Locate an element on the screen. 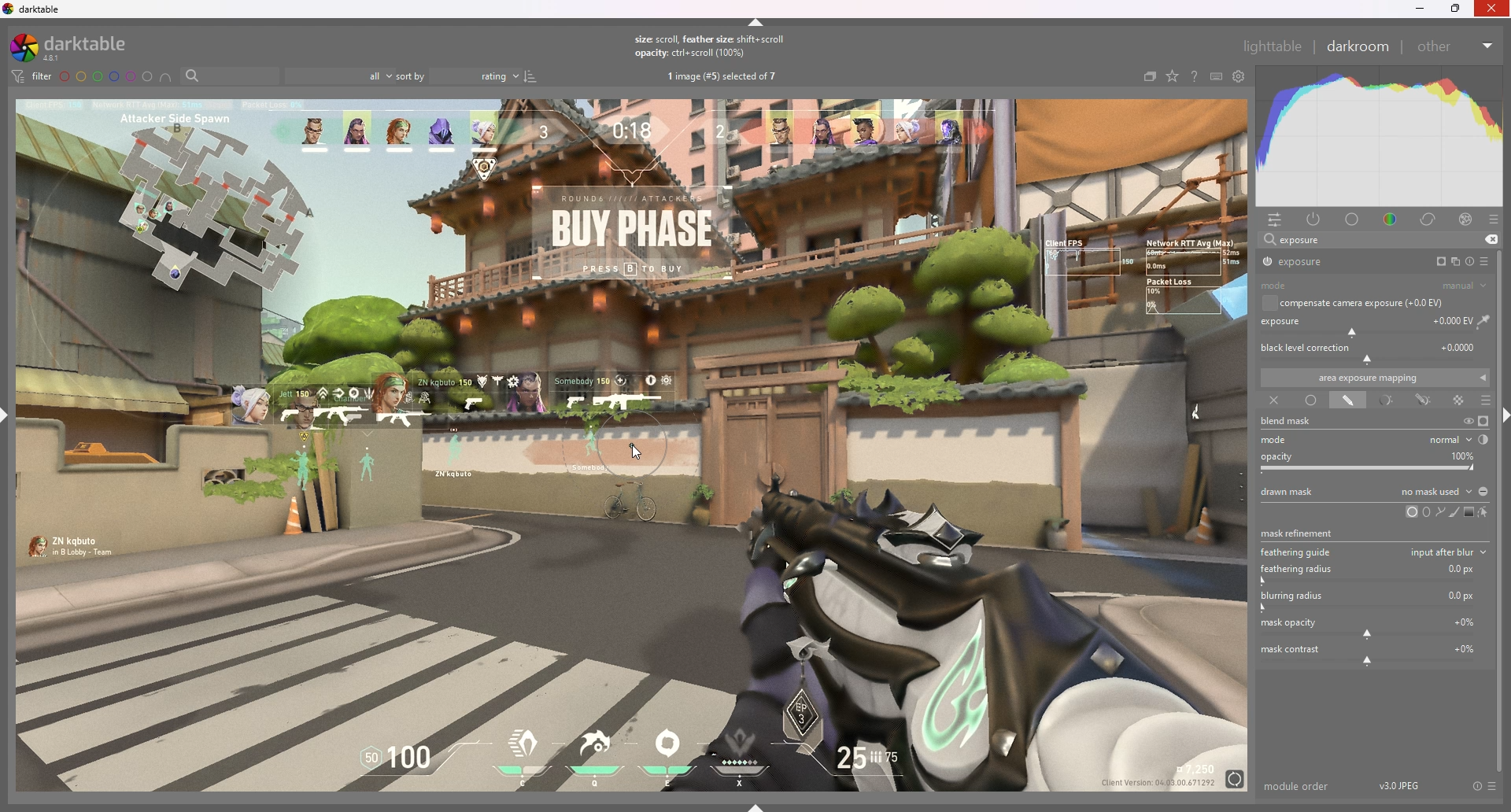 This screenshot has width=1511, height=812. opacity is located at coordinates (1374, 462).